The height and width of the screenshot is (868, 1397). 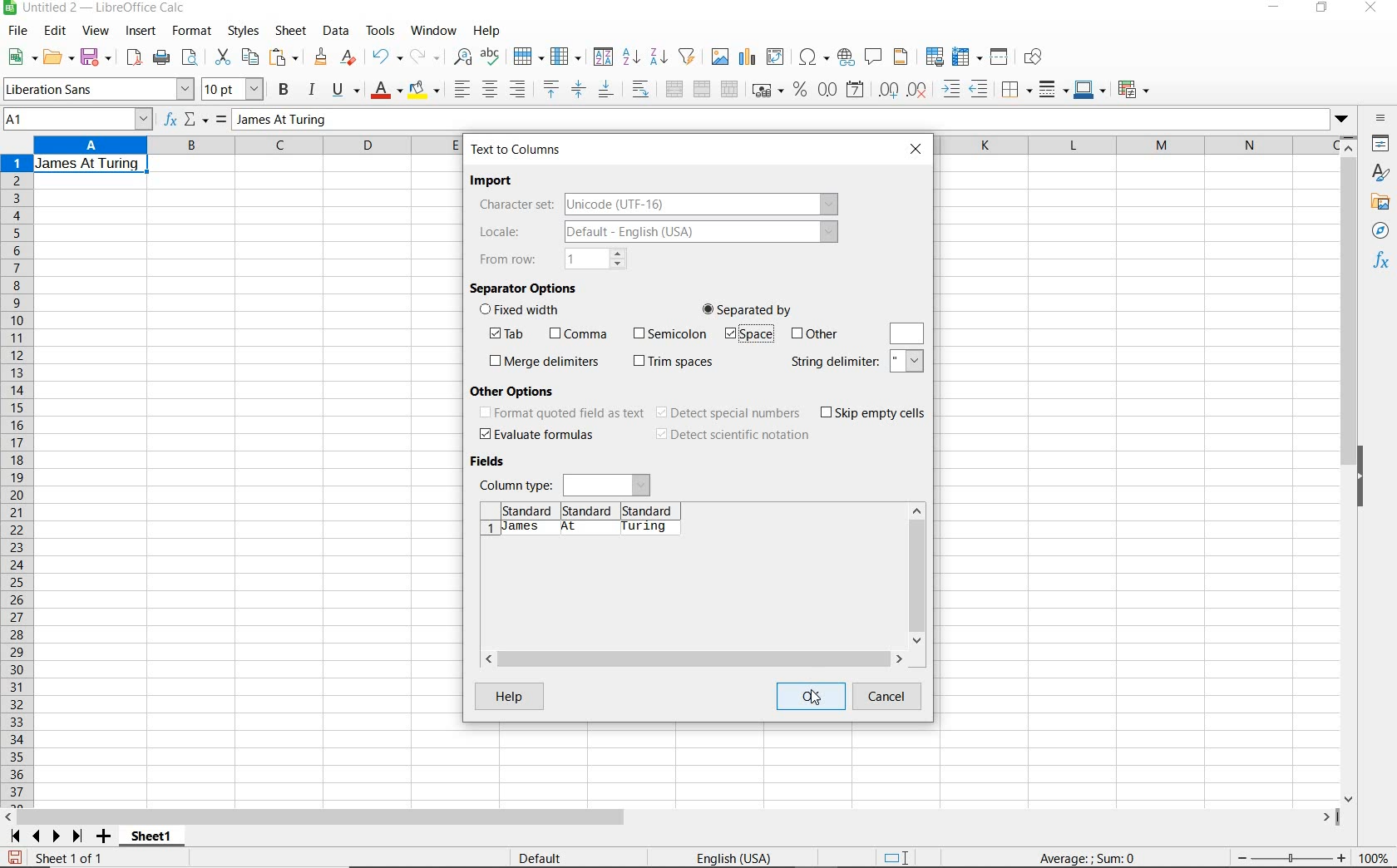 What do you see at coordinates (818, 701) in the screenshot?
I see `cursor` at bounding box center [818, 701].